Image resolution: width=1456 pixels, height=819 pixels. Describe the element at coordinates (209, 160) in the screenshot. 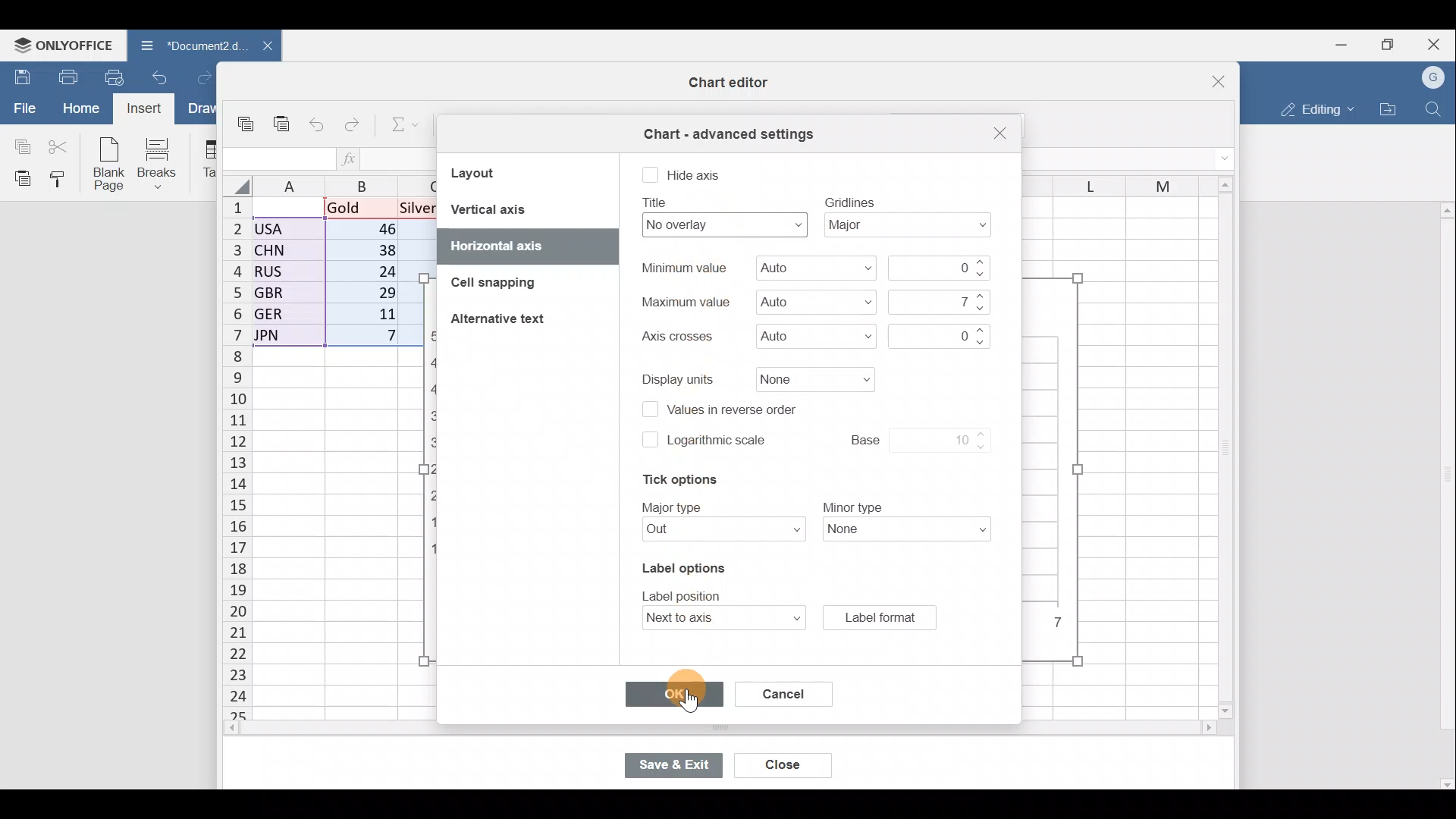

I see `Table` at that location.